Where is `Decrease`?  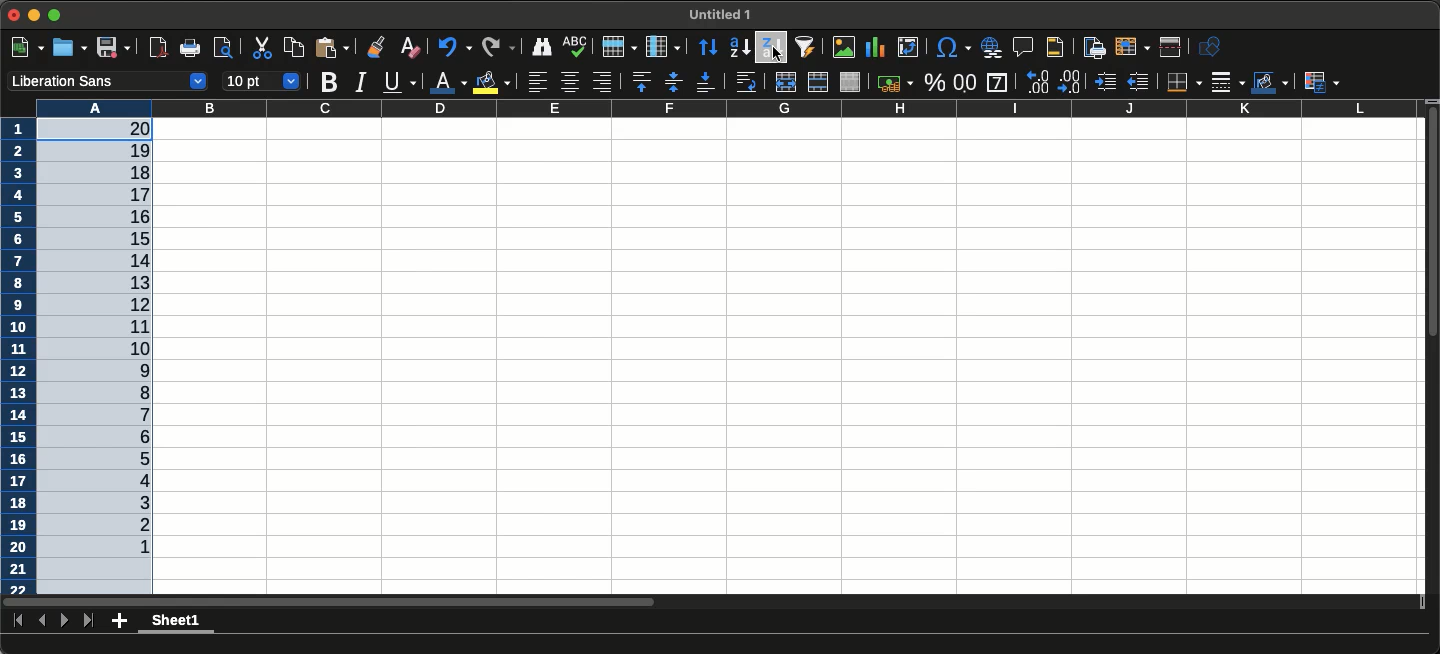 Decrease is located at coordinates (1142, 83).